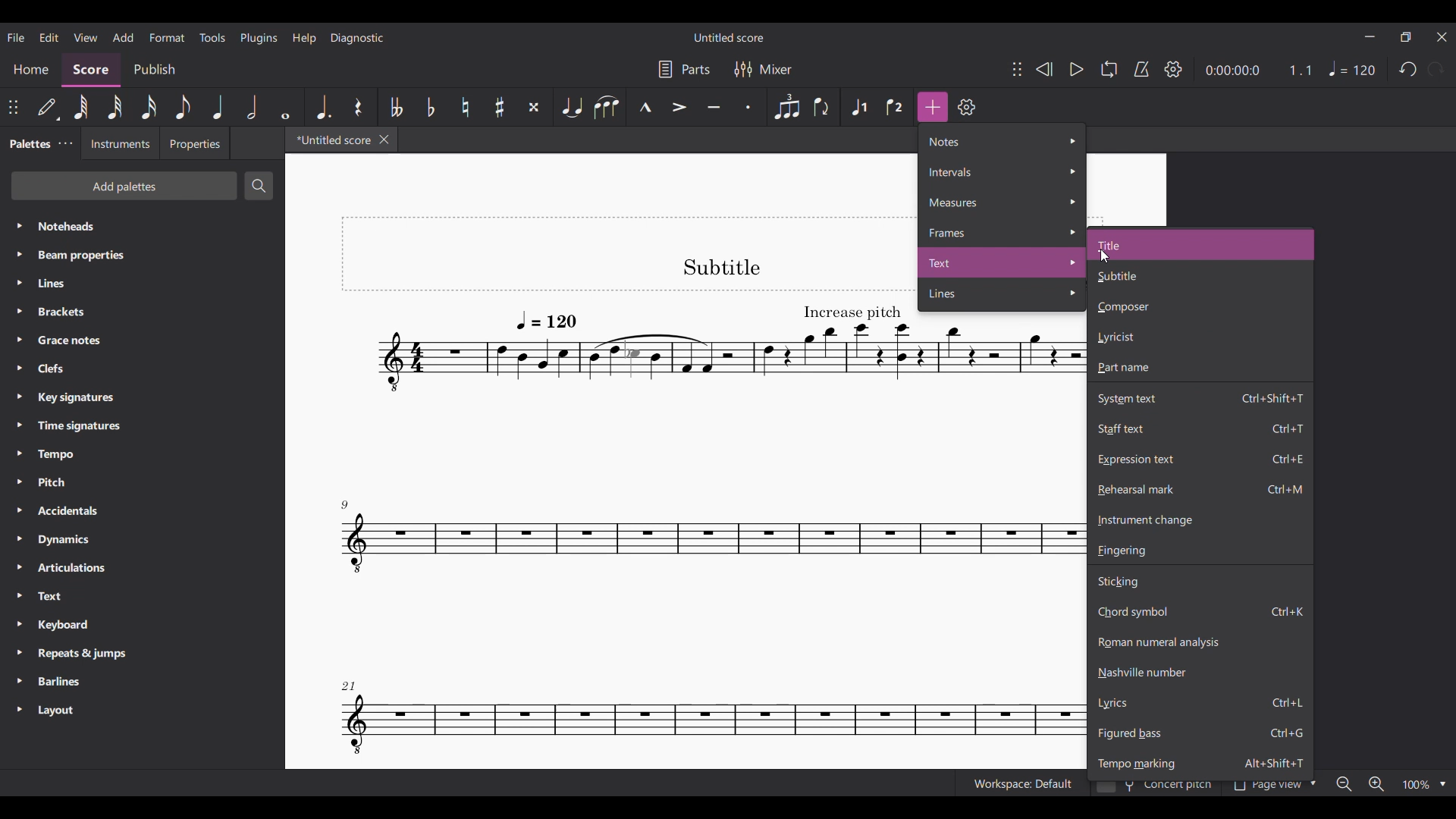 The width and height of the screenshot is (1456, 819). I want to click on Zoom in, so click(1376, 784).